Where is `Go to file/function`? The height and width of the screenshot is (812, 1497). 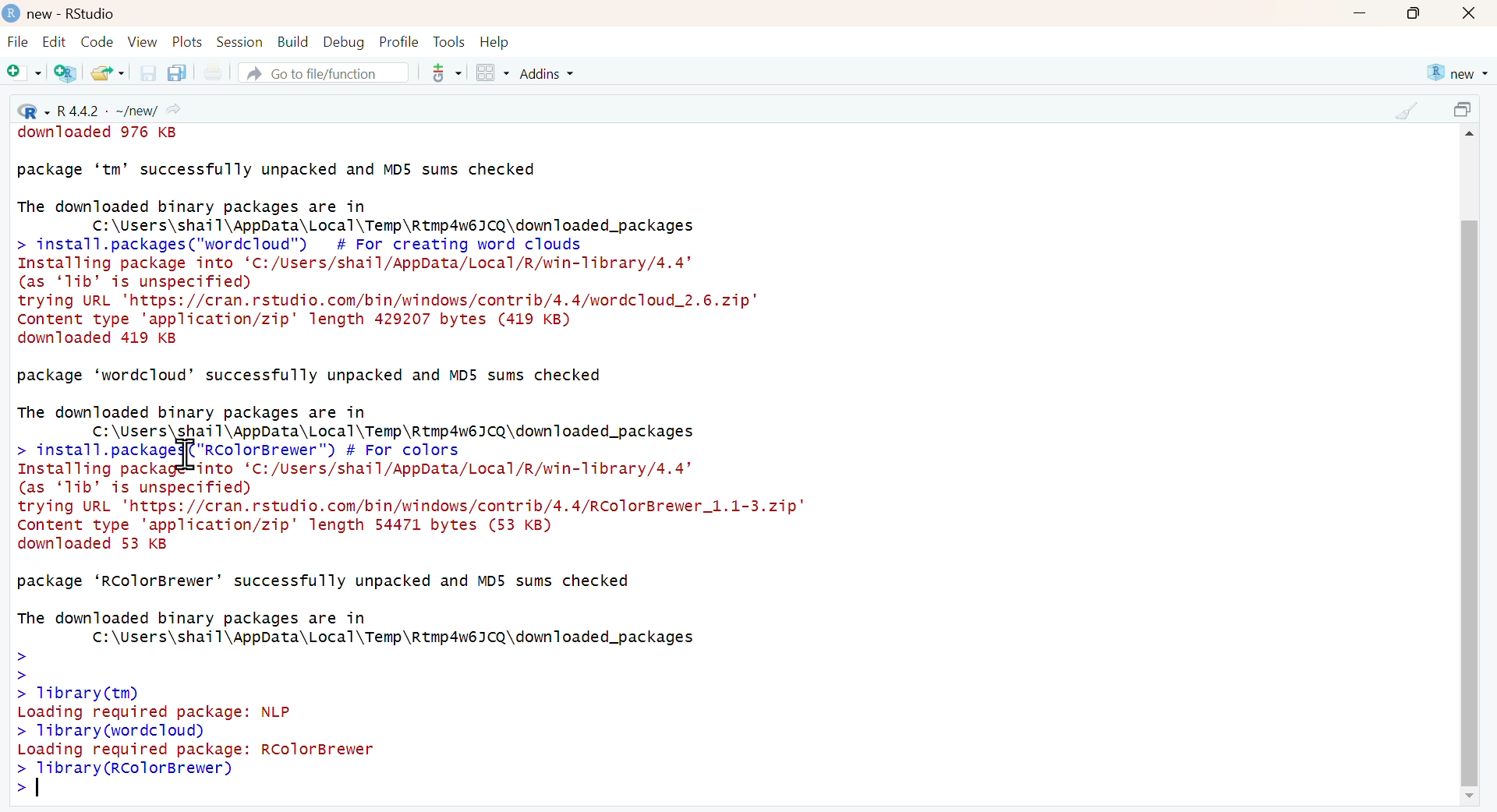
Go to file/function is located at coordinates (322, 72).